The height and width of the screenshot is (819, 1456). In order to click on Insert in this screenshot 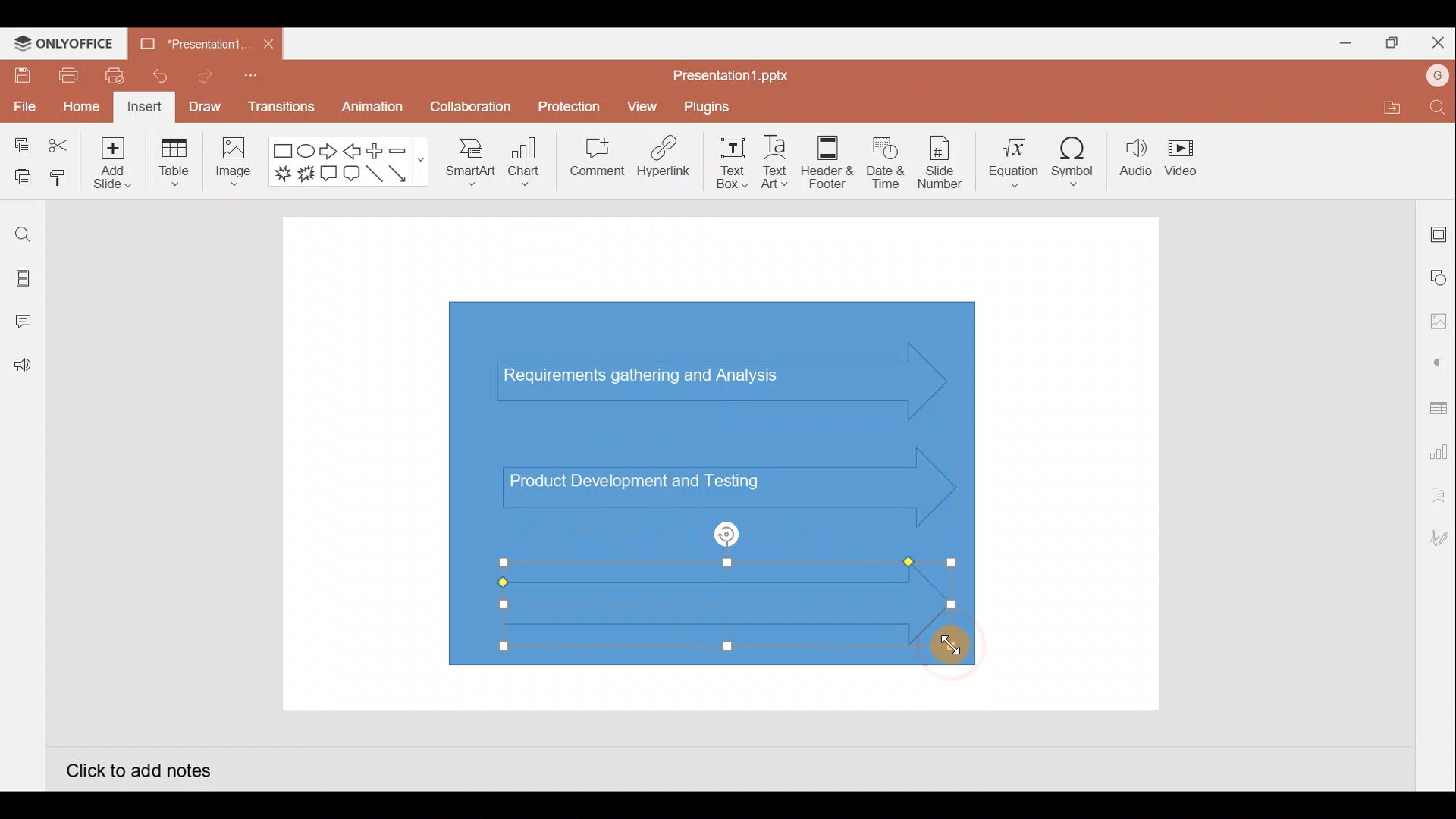, I will do `click(145, 108)`.